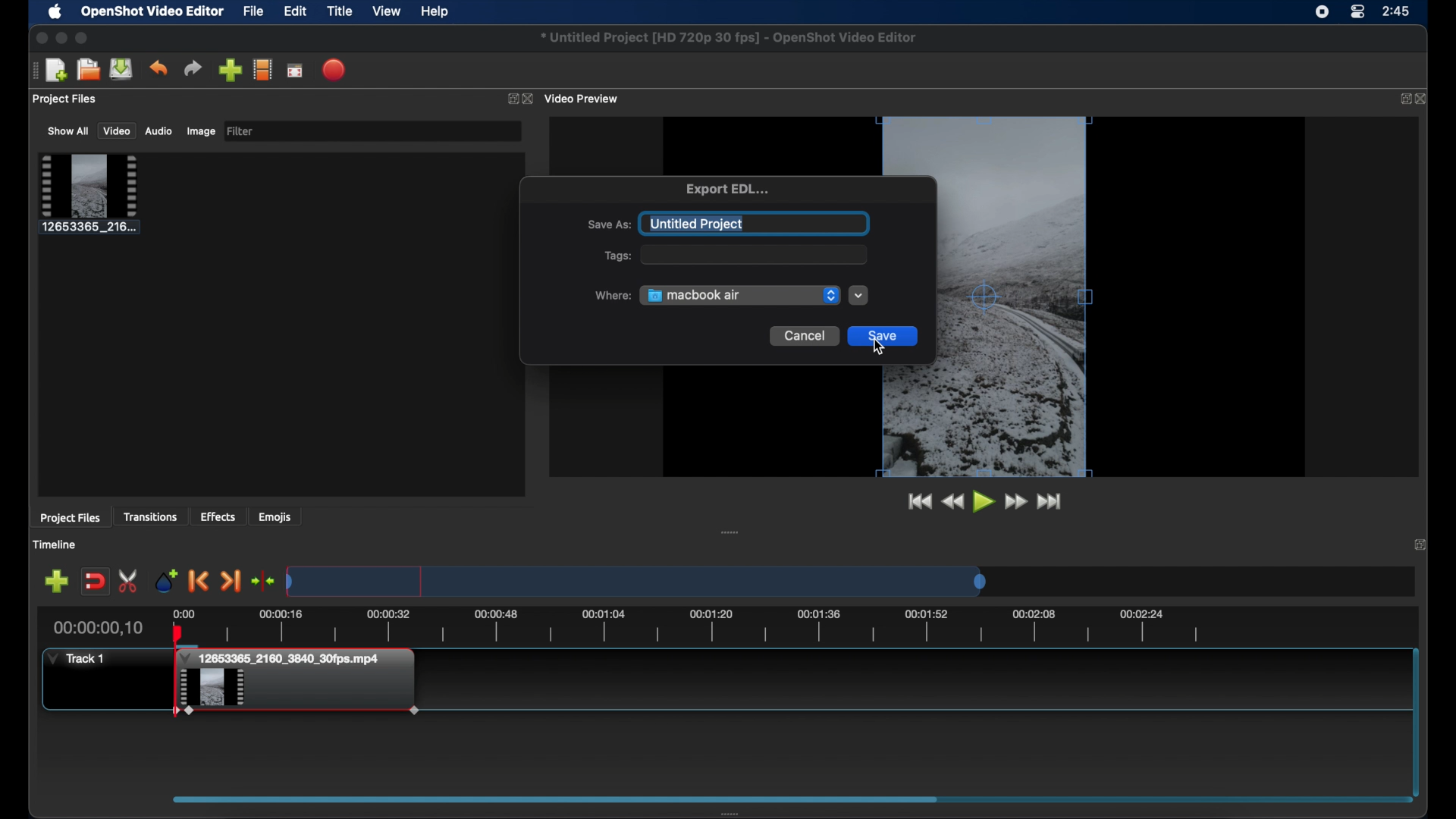 This screenshot has width=1456, height=819. Describe the element at coordinates (166, 579) in the screenshot. I see `add marker` at that location.